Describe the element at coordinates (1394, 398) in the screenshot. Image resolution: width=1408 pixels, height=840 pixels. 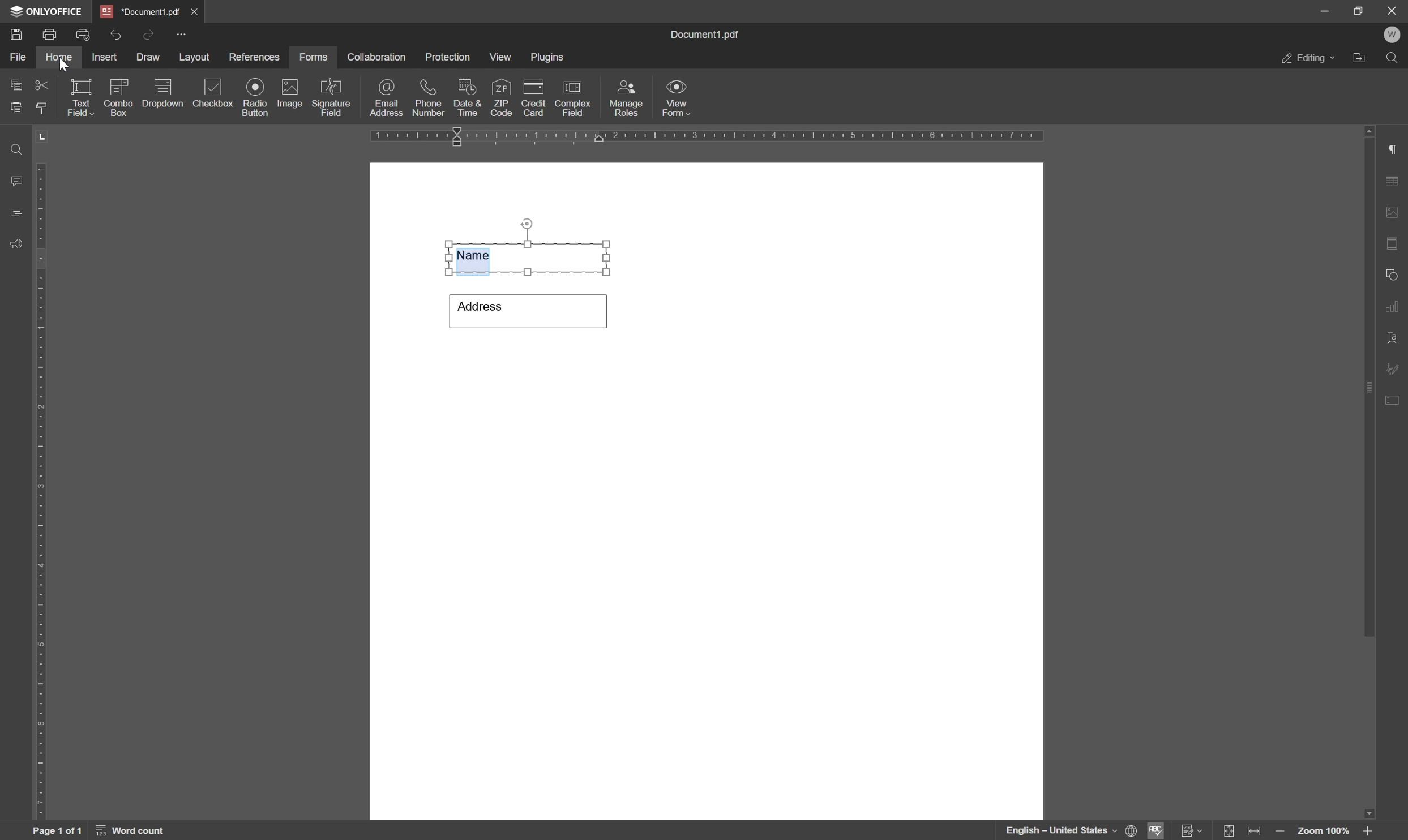
I see `form settings` at that location.